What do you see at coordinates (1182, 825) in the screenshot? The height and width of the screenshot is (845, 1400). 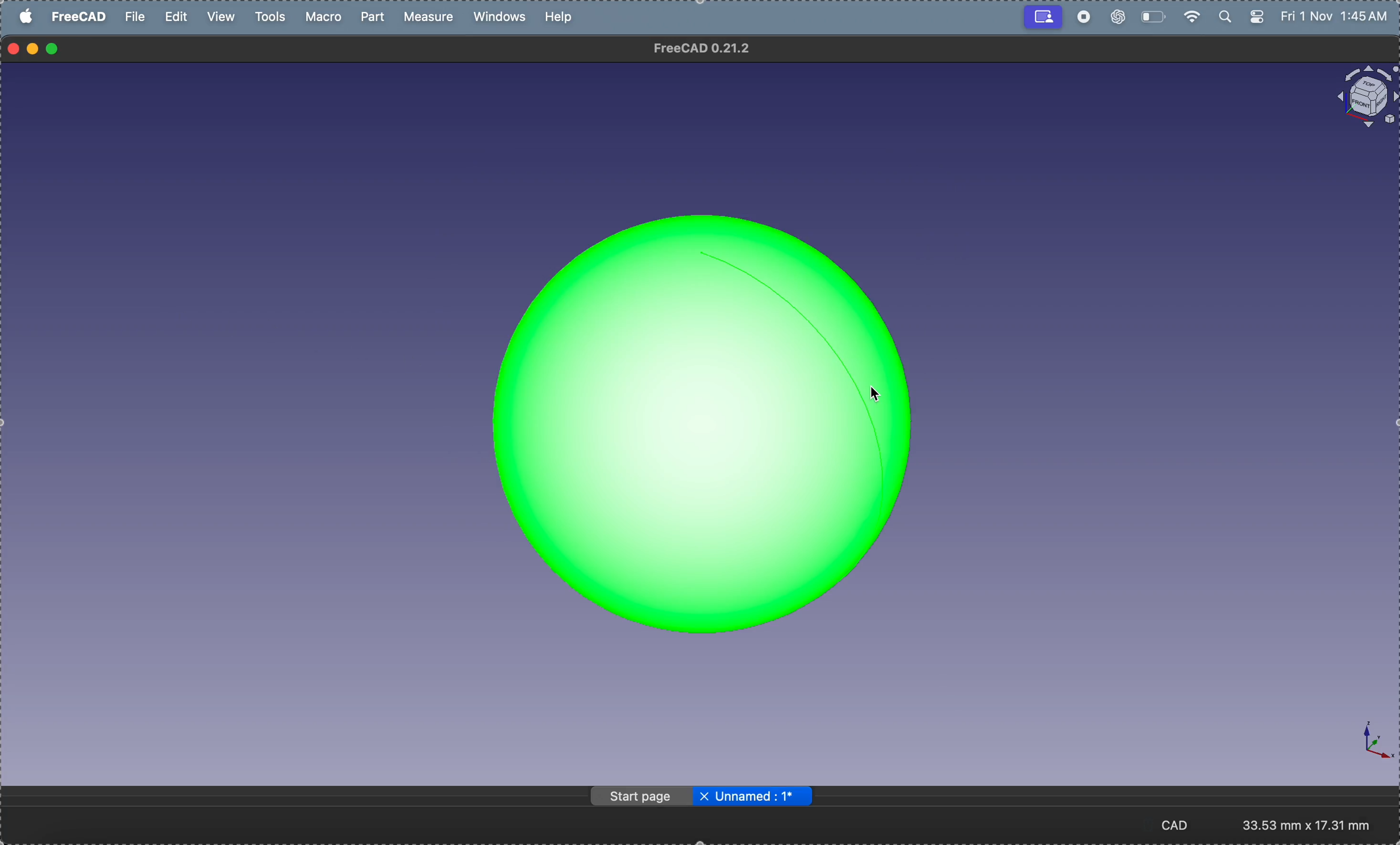 I see `cad` at bounding box center [1182, 825].